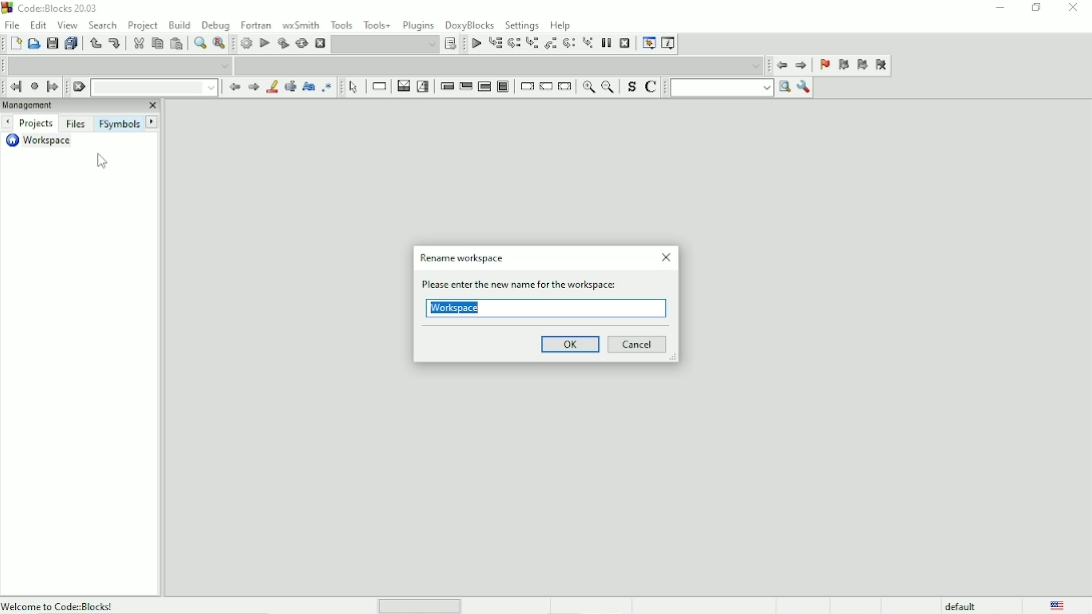  Describe the element at coordinates (198, 44) in the screenshot. I see `Find` at that location.